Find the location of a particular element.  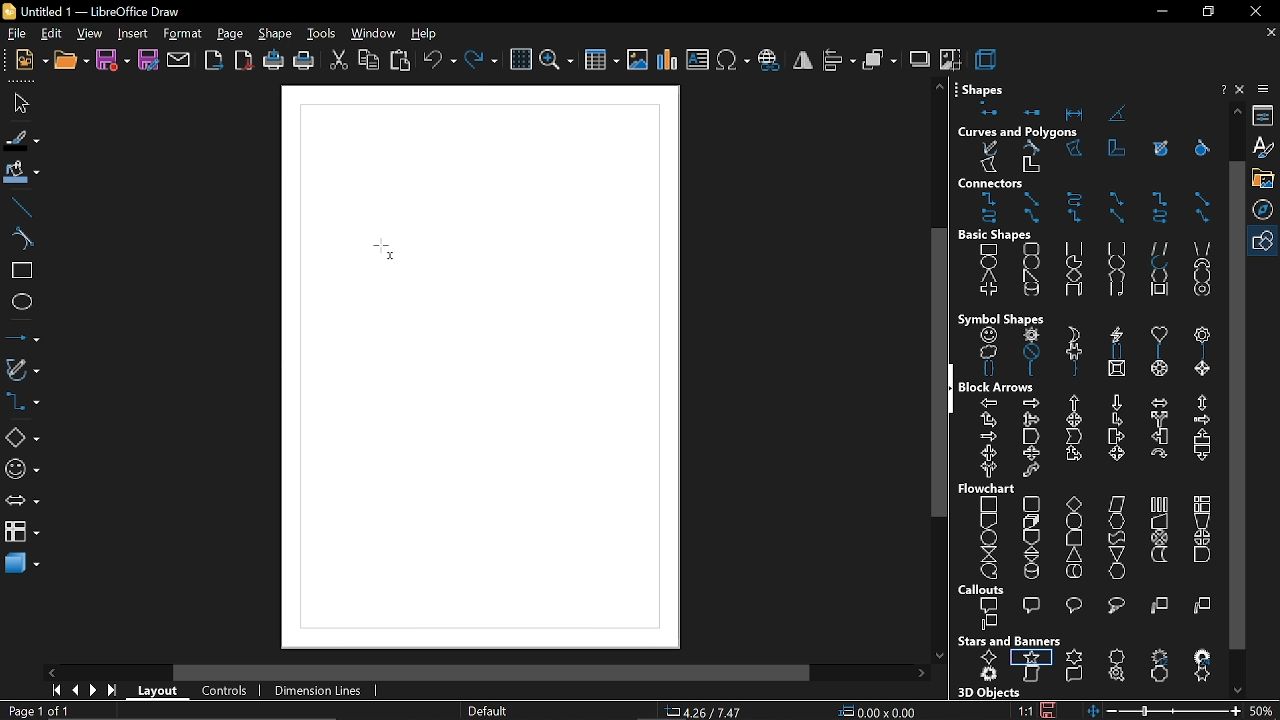

basic shapes is located at coordinates (22, 438).